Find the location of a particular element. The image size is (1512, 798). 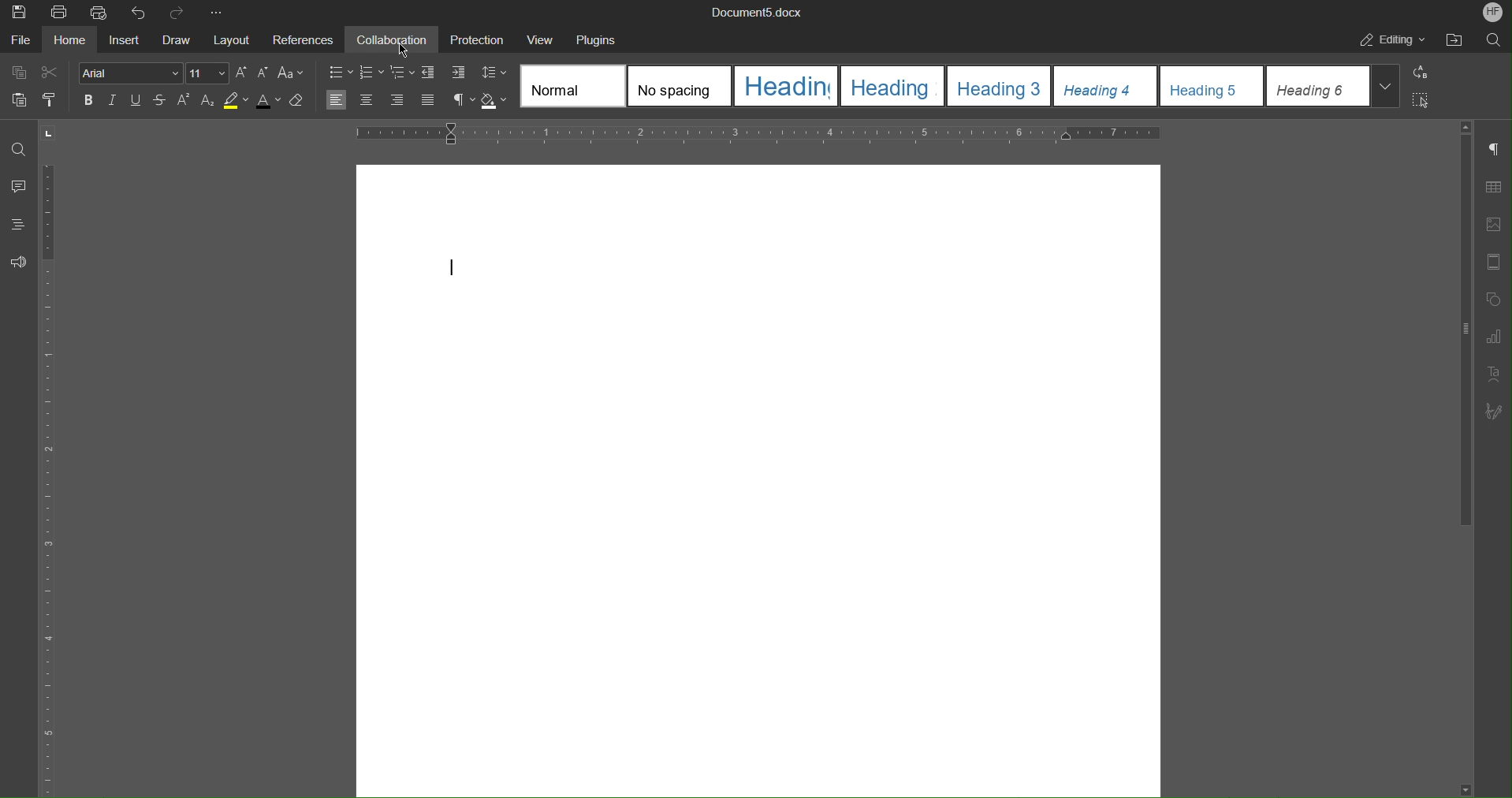

Superscript is located at coordinates (182, 104).